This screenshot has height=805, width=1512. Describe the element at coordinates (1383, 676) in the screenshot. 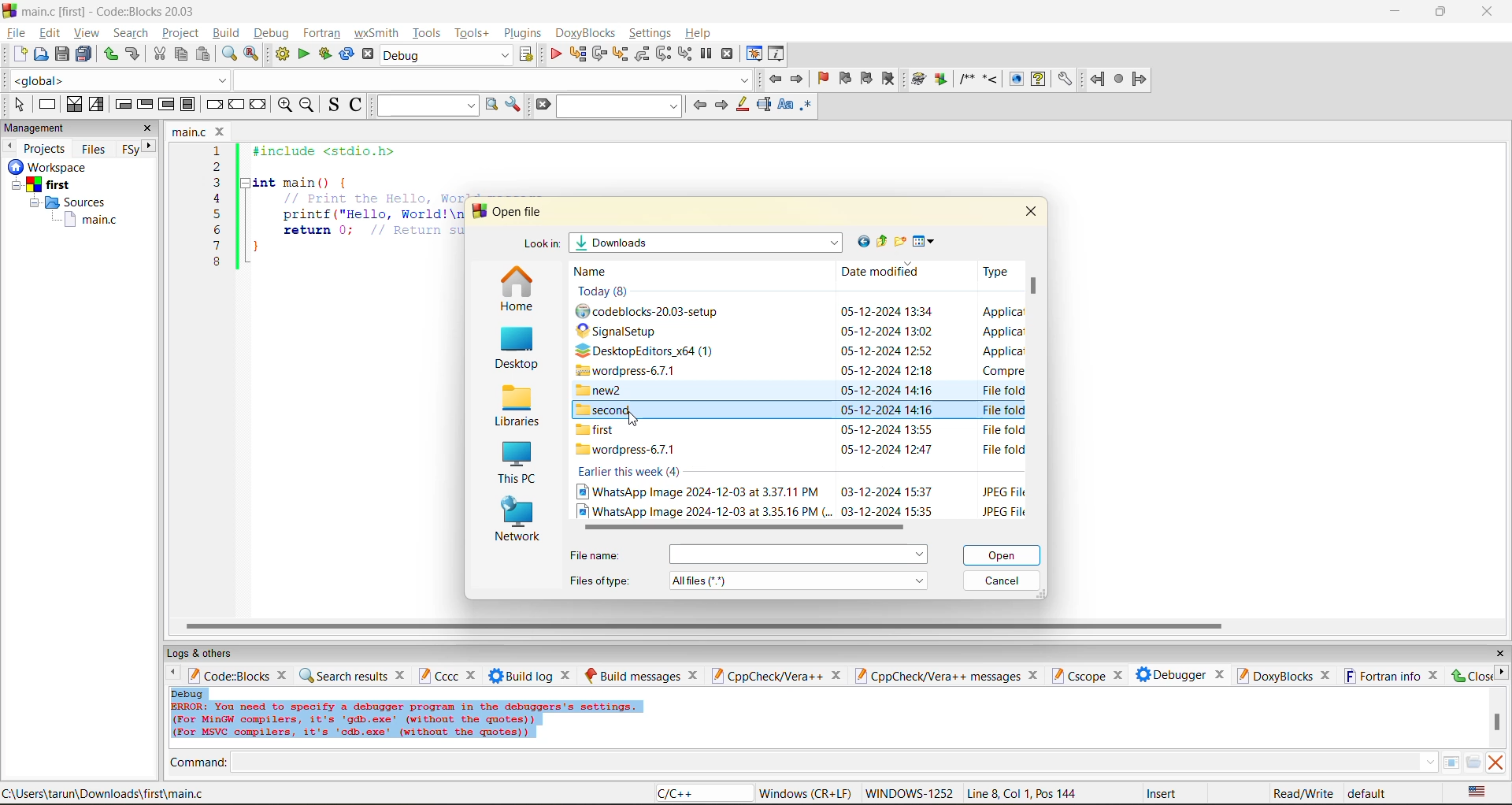

I see `fortran info` at that location.